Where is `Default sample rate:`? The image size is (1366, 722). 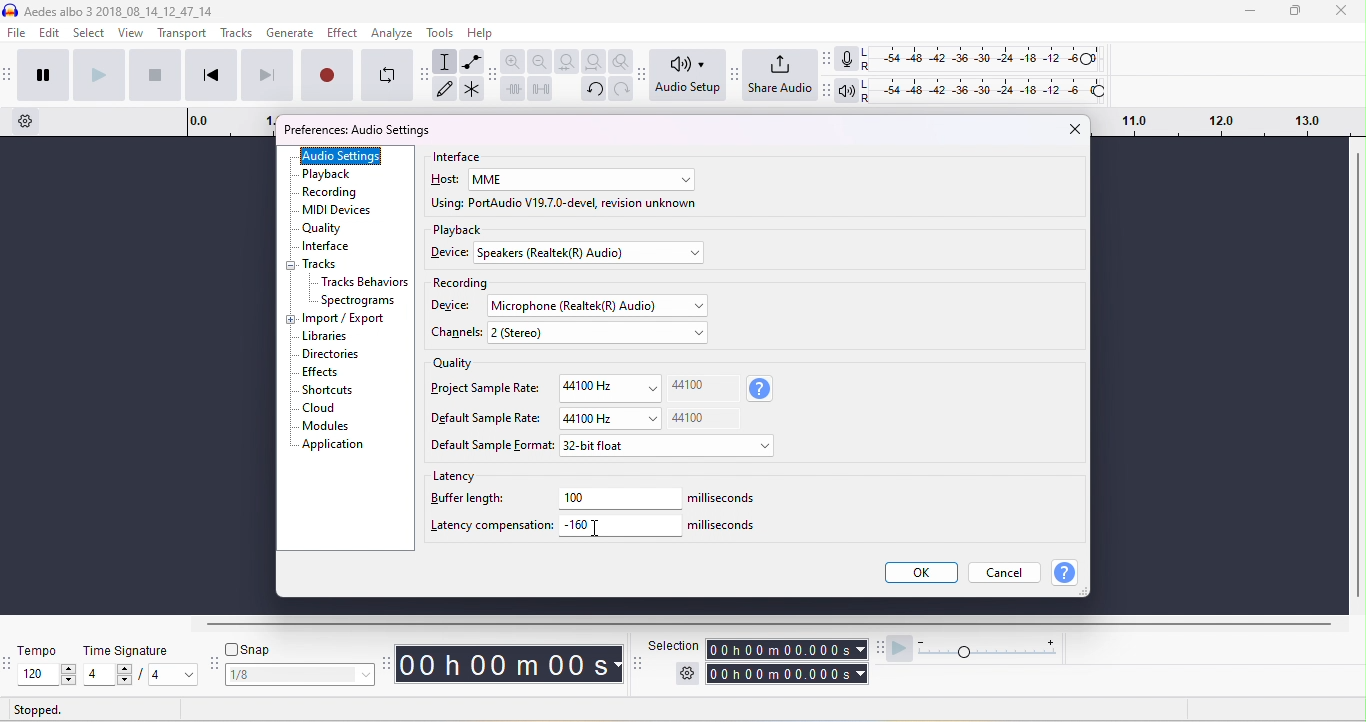
Default sample rate: is located at coordinates (487, 418).